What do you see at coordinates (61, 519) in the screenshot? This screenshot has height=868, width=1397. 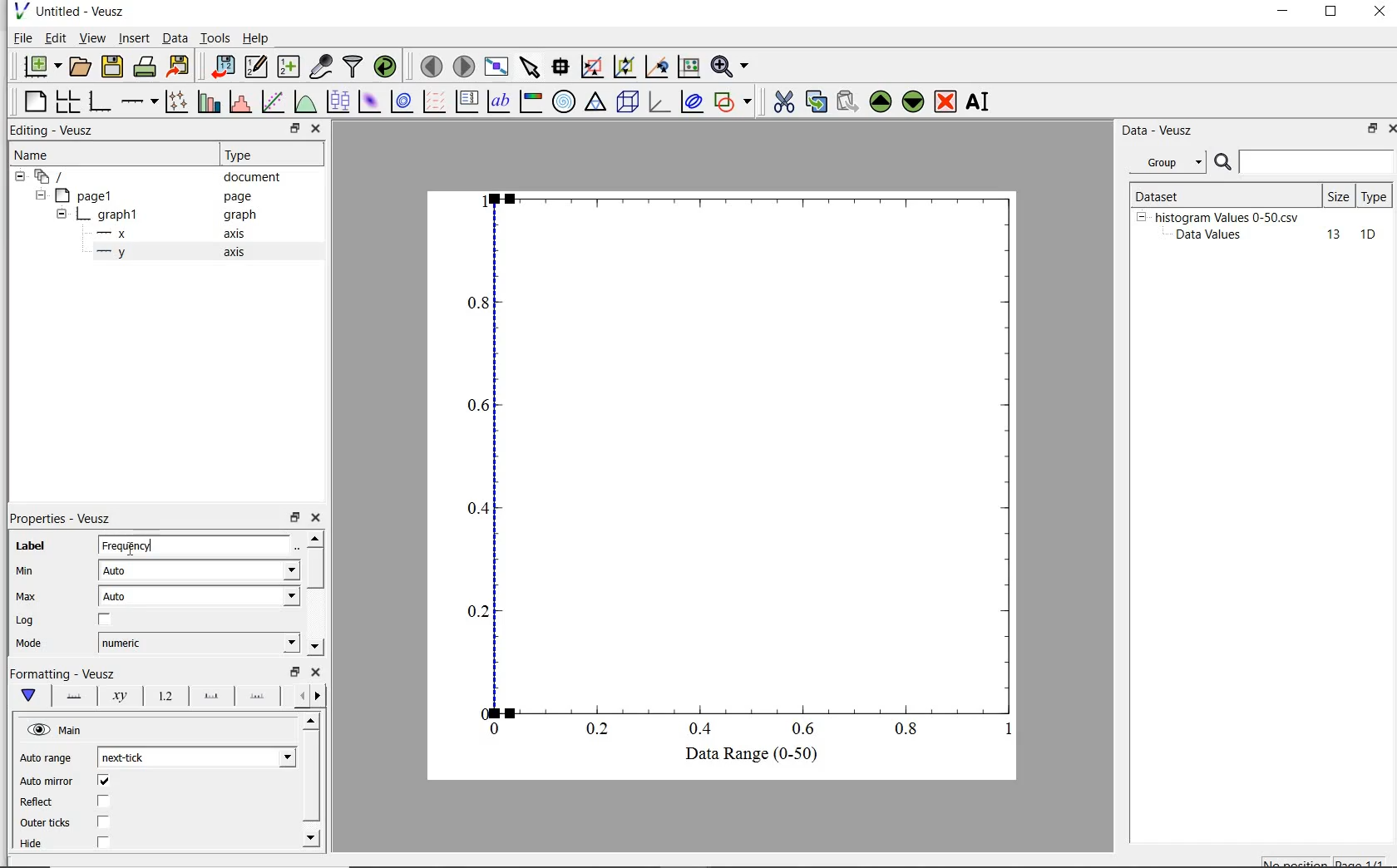 I see `properties-veusz` at bounding box center [61, 519].